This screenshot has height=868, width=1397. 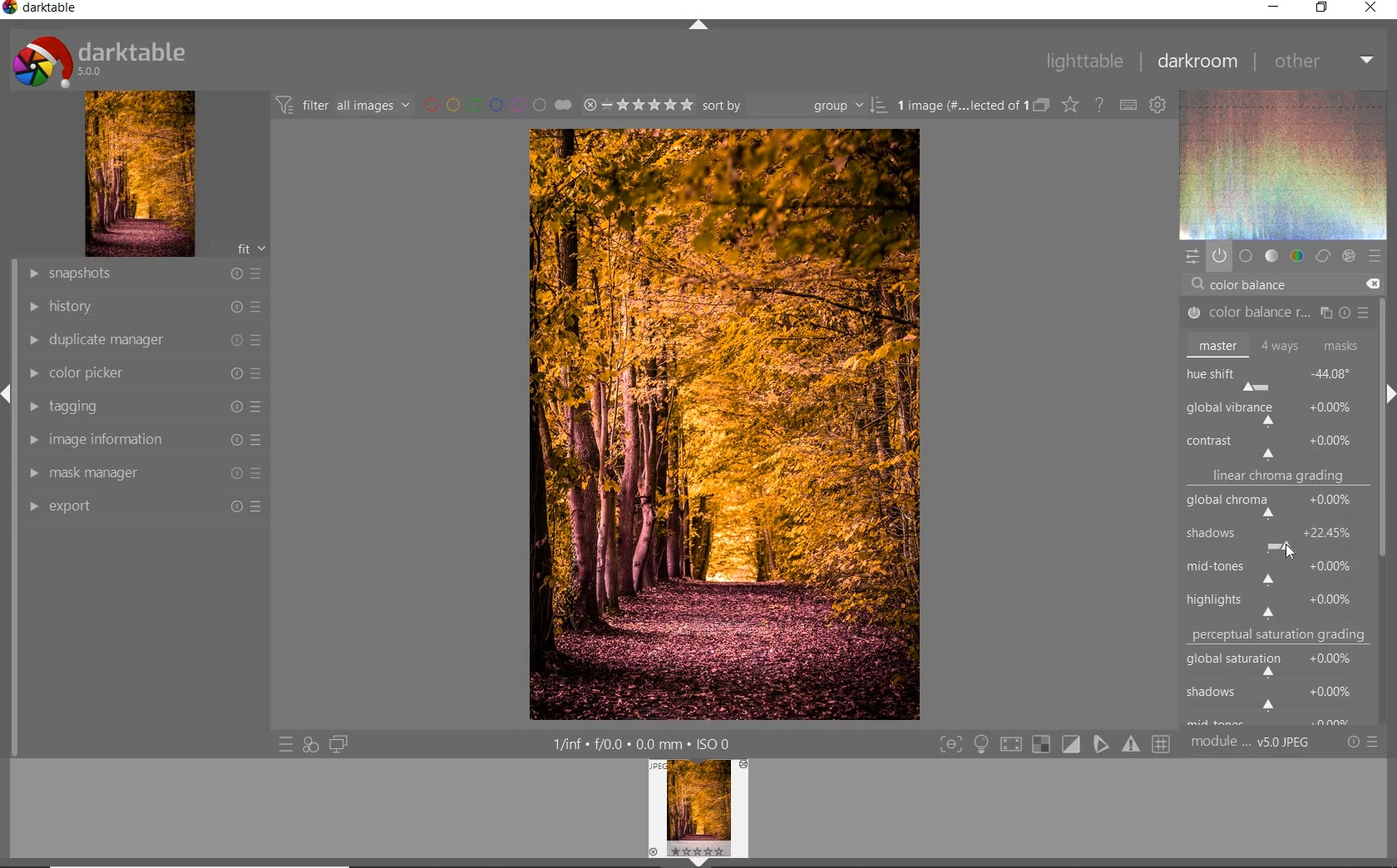 What do you see at coordinates (40, 8) in the screenshot?
I see `system name` at bounding box center [40, 8].